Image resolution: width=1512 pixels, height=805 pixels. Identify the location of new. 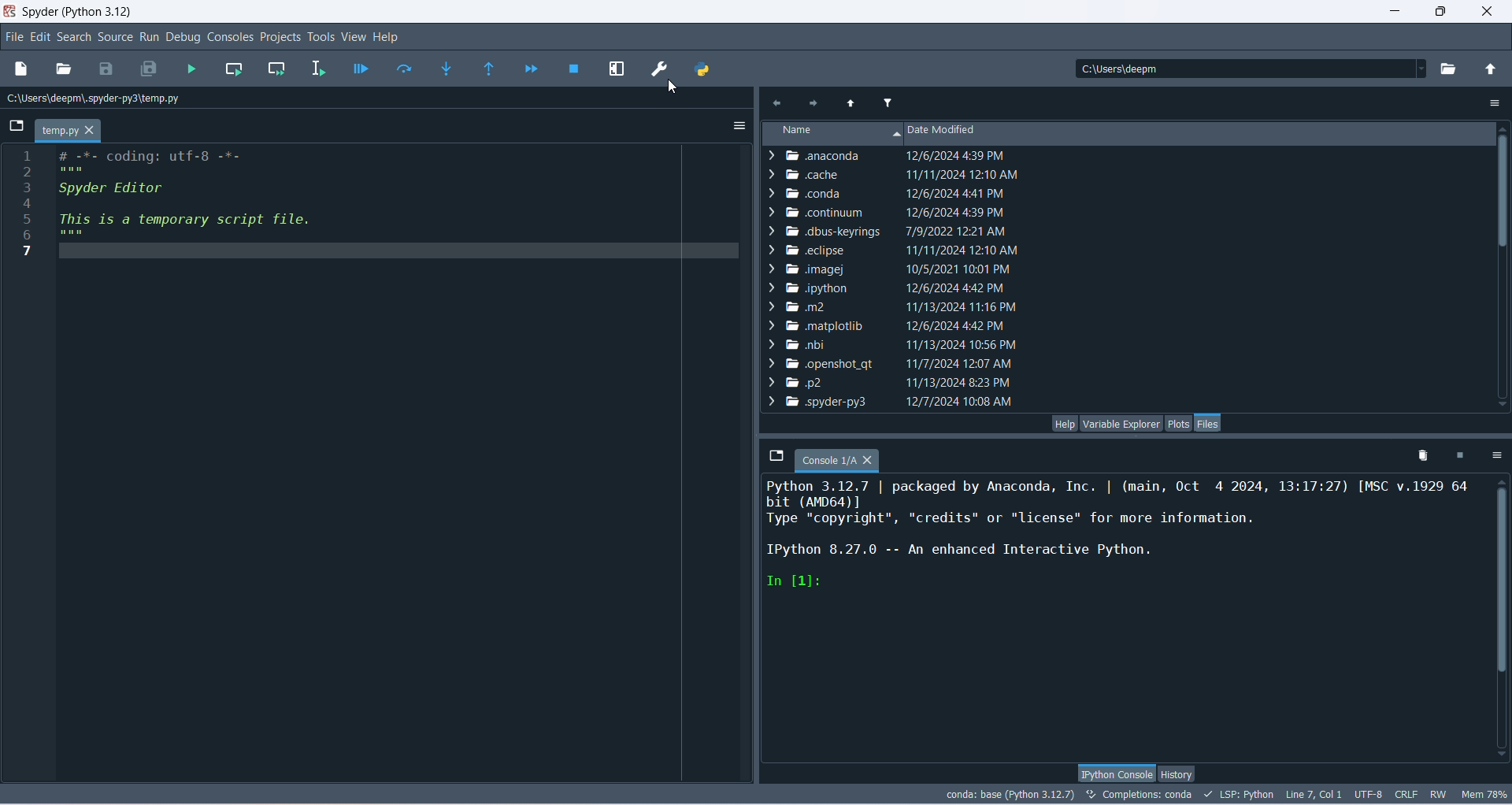
(20, 69).